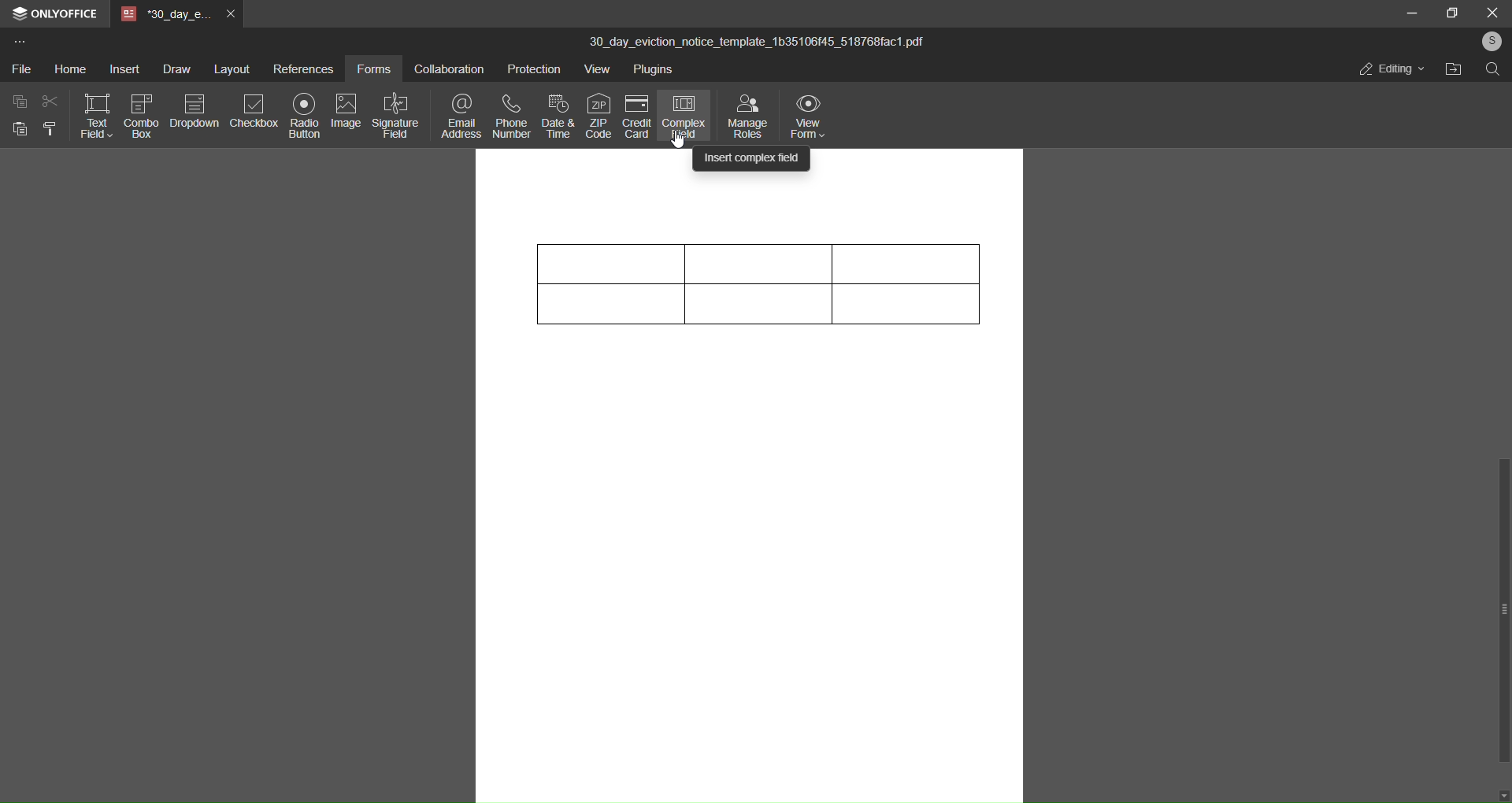  I want to click on file, so click(20, 70).